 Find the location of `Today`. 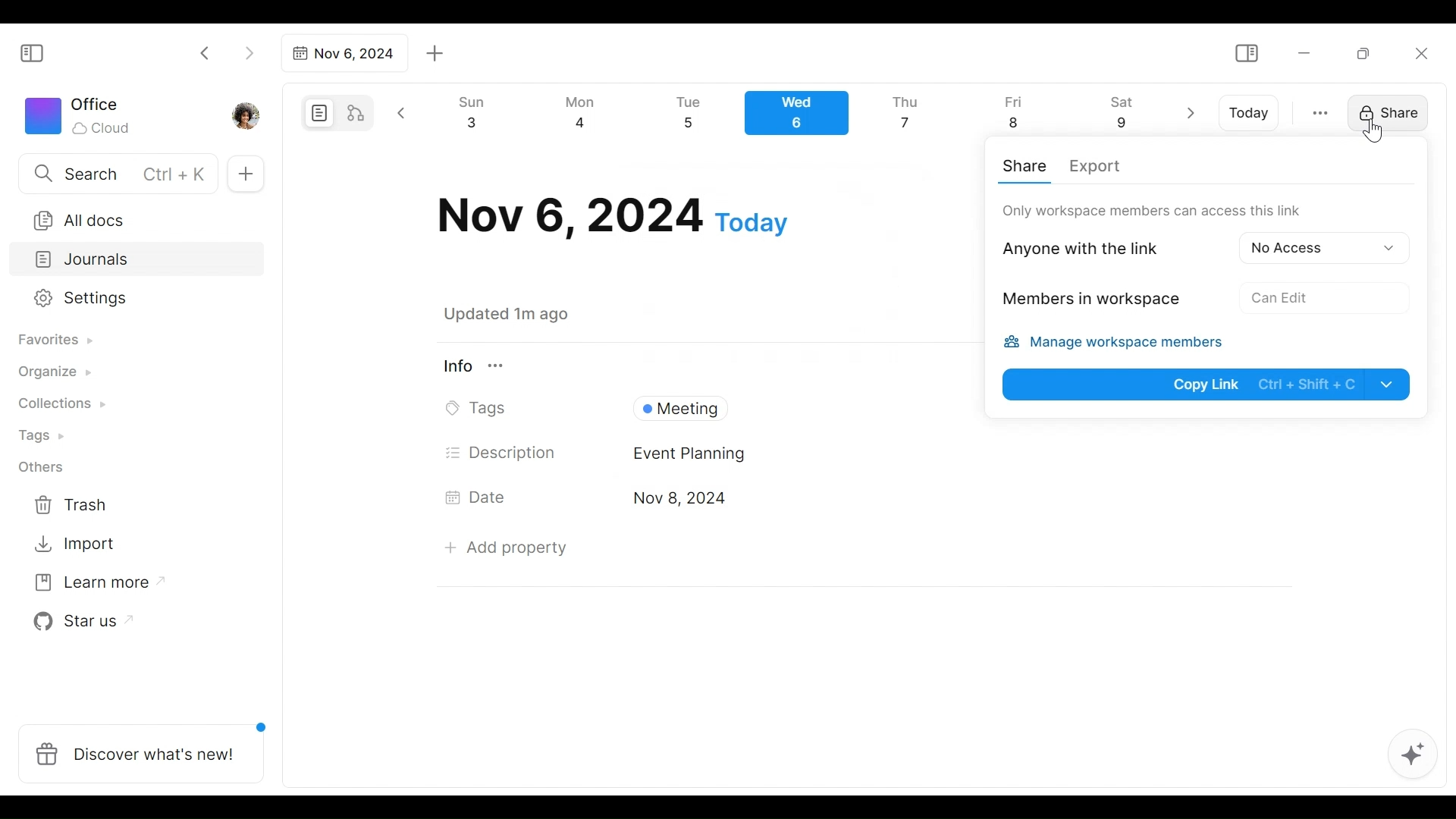

Today is located at coordinates (1250, 113).